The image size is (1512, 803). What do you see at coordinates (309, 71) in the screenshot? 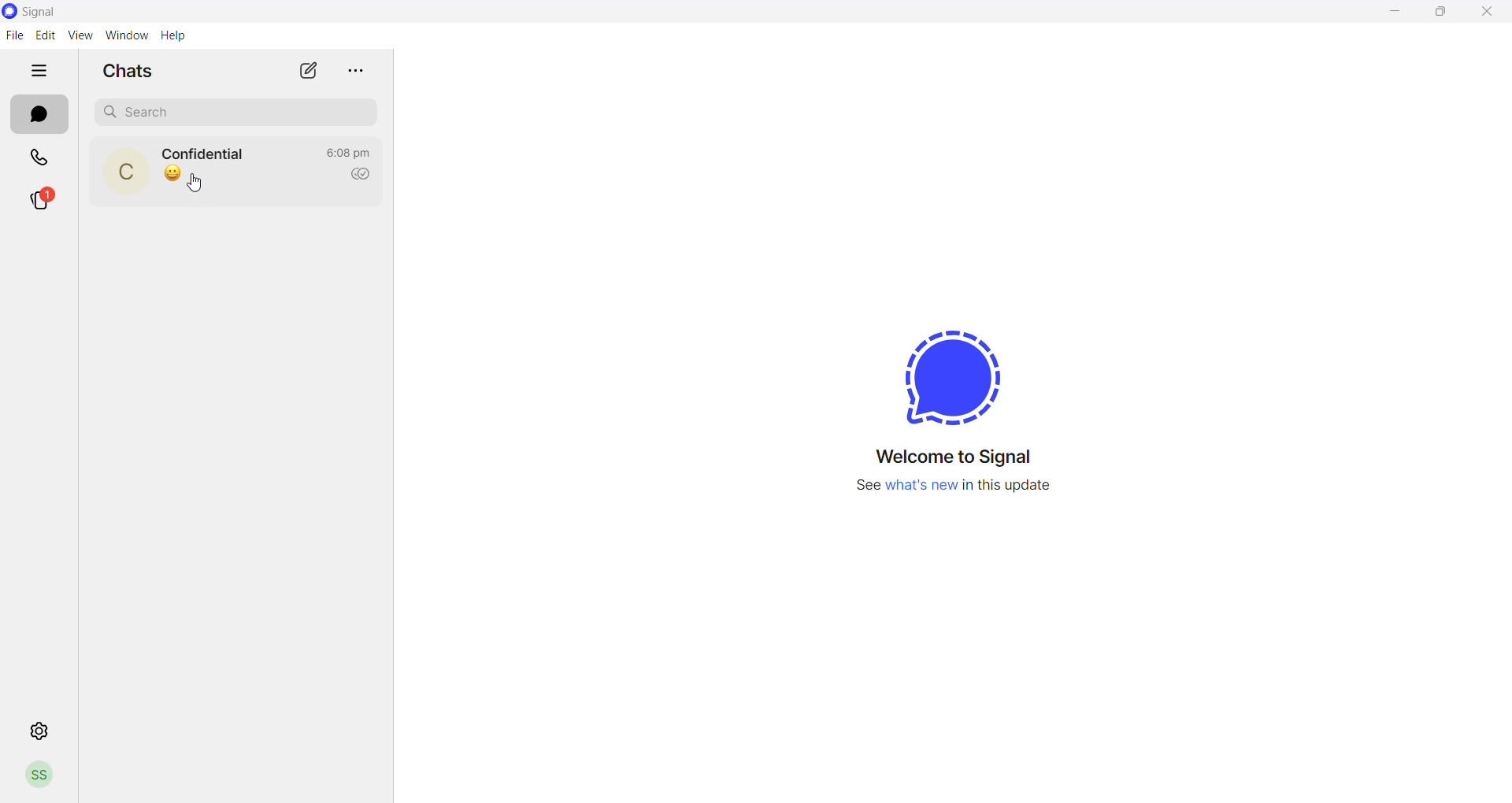
I see `new chat` at bounding box center [309, 71].